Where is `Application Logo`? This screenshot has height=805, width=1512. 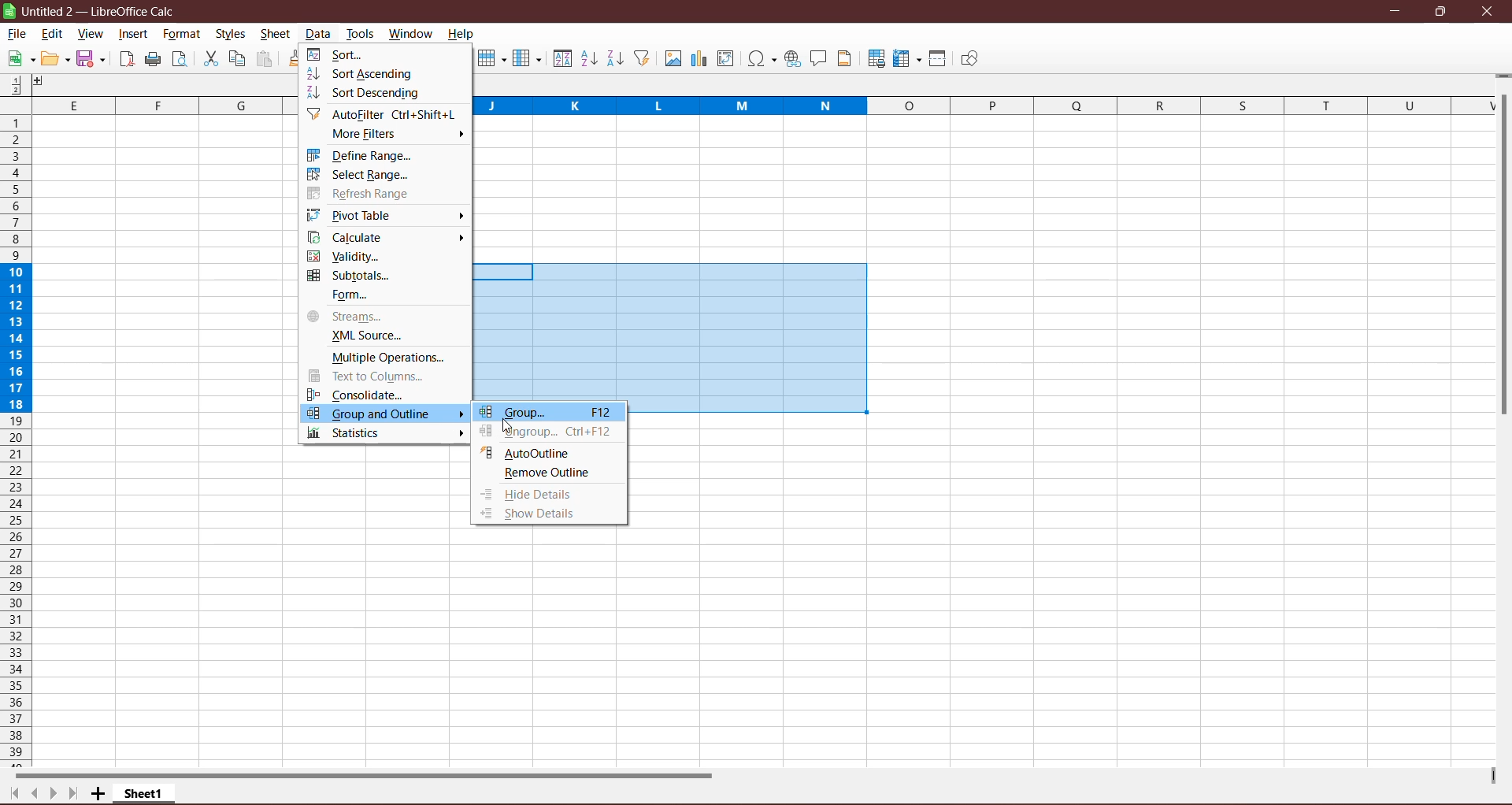 Application Logo is located at coordinates (9, 11).